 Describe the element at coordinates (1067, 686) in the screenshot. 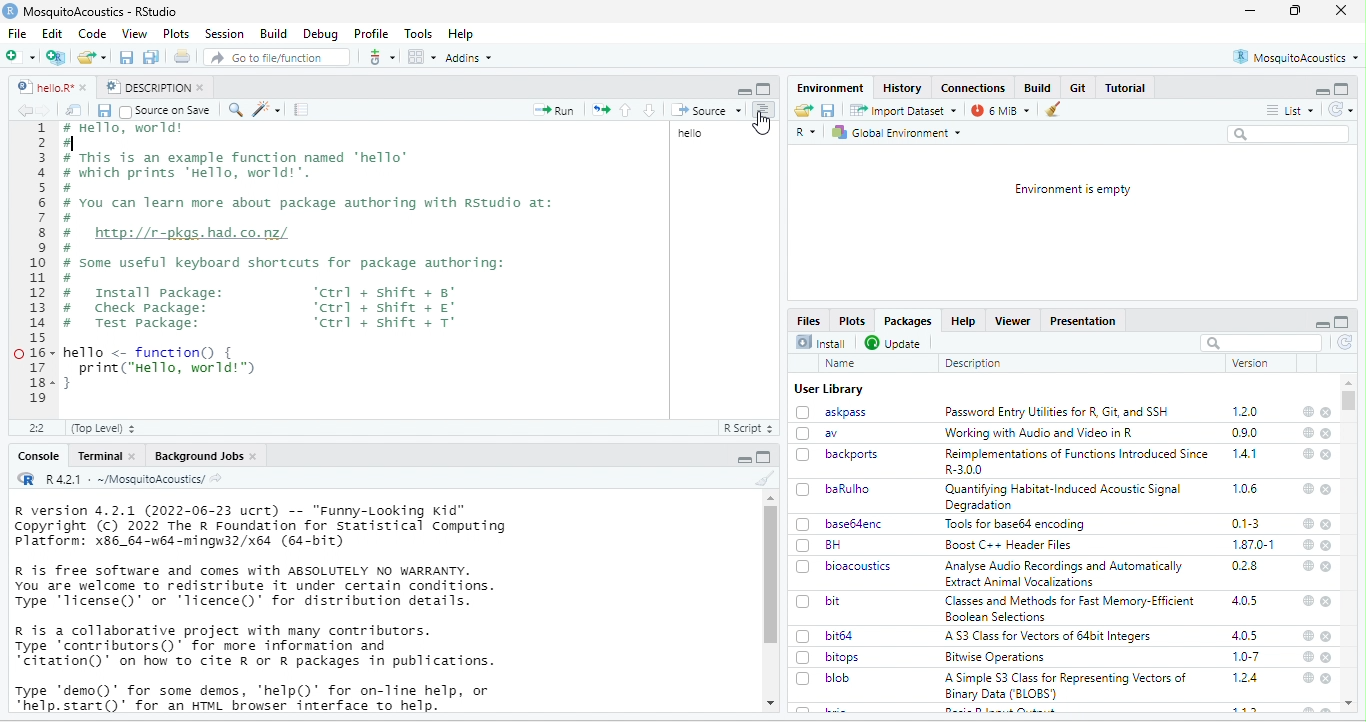

I see `A Simple S3 Class for Representing Vectors of Binary Data (‘BLOBS’)` at that location.